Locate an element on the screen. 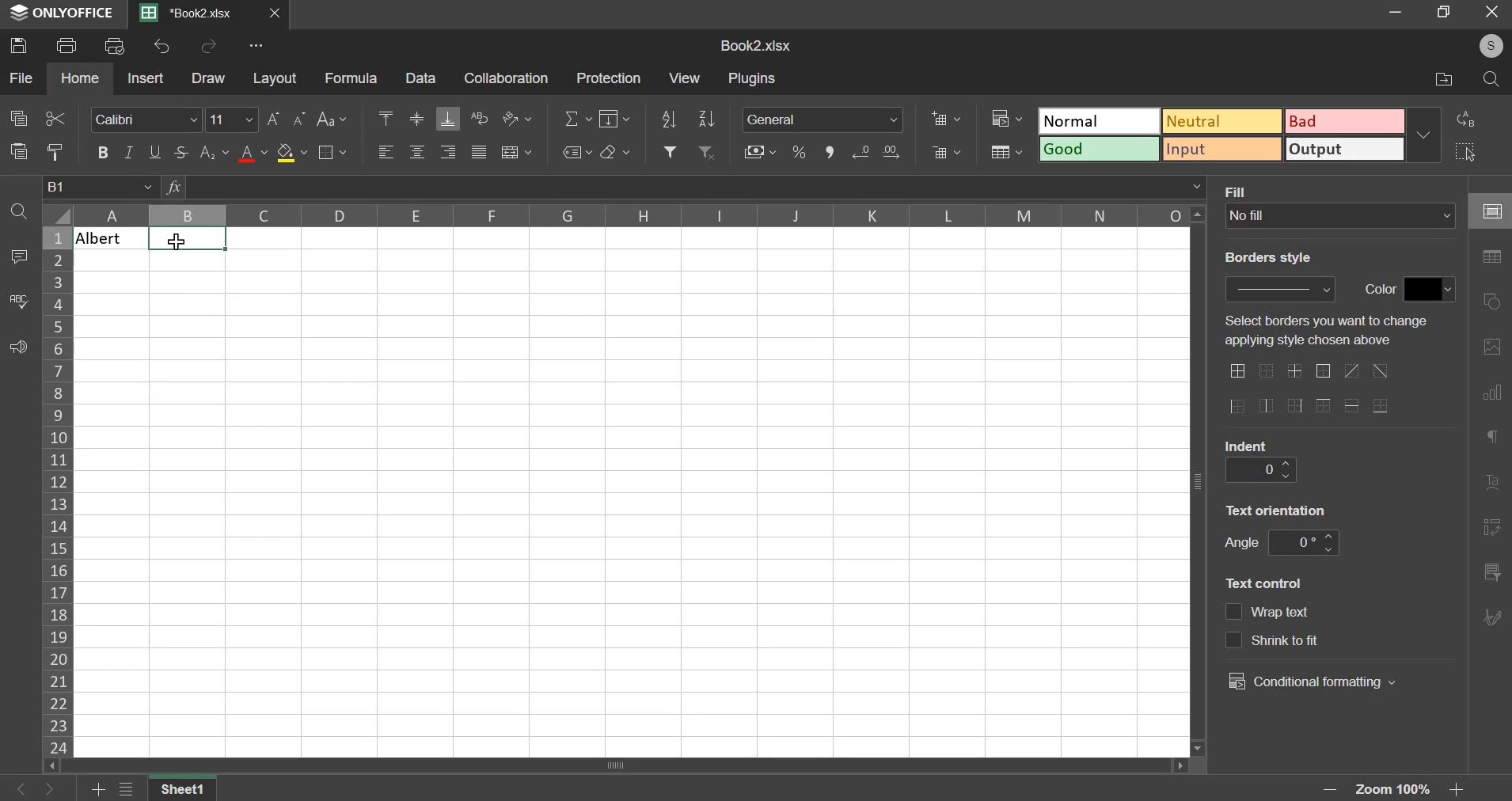 This screenshot has height=801, width=1512. text control is located at coordinates (1271, 586).